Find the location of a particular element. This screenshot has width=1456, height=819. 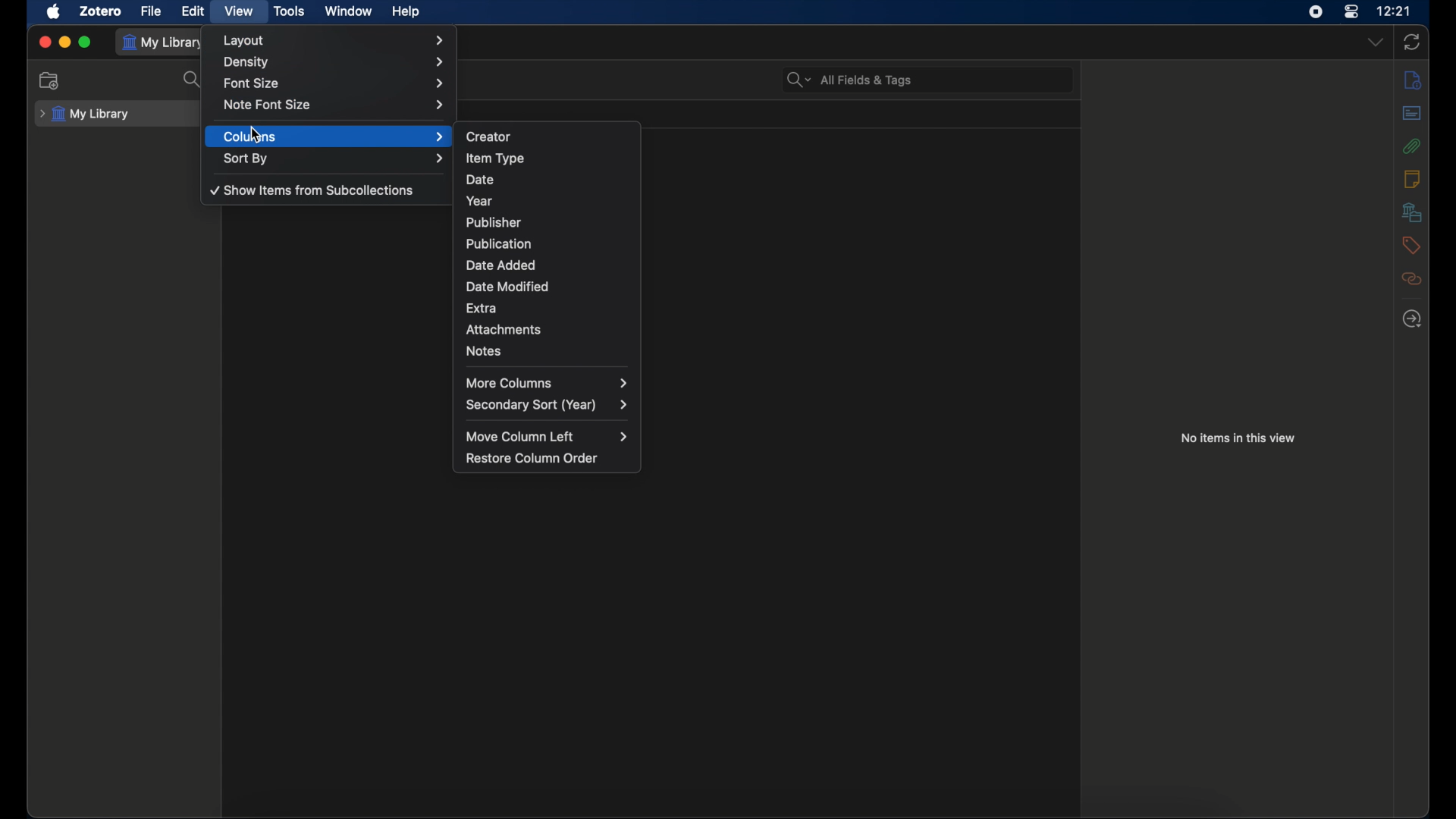

apple is located at coordinates (54, 11).